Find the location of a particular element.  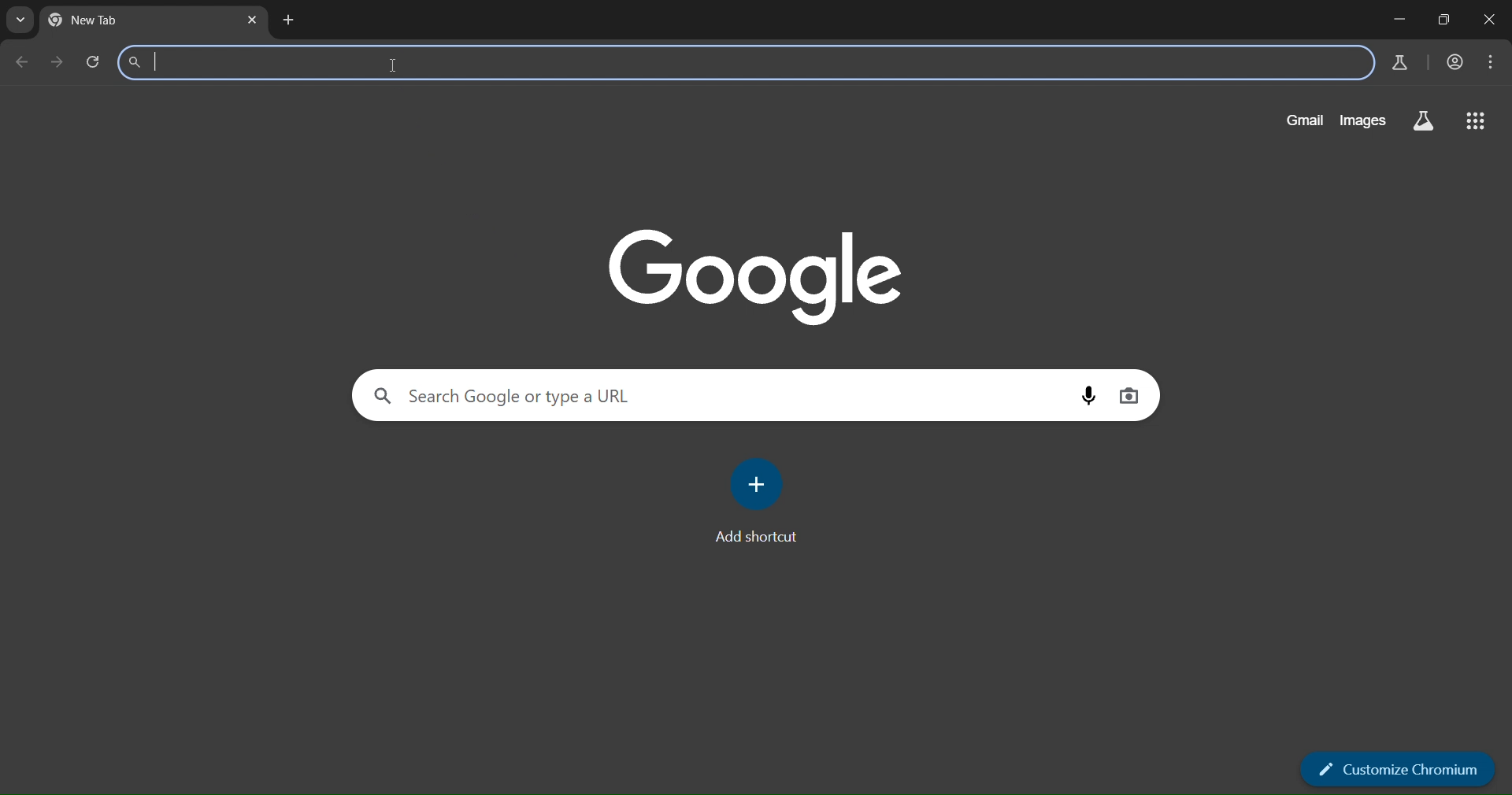

Google is located at coordinates (758, 274).